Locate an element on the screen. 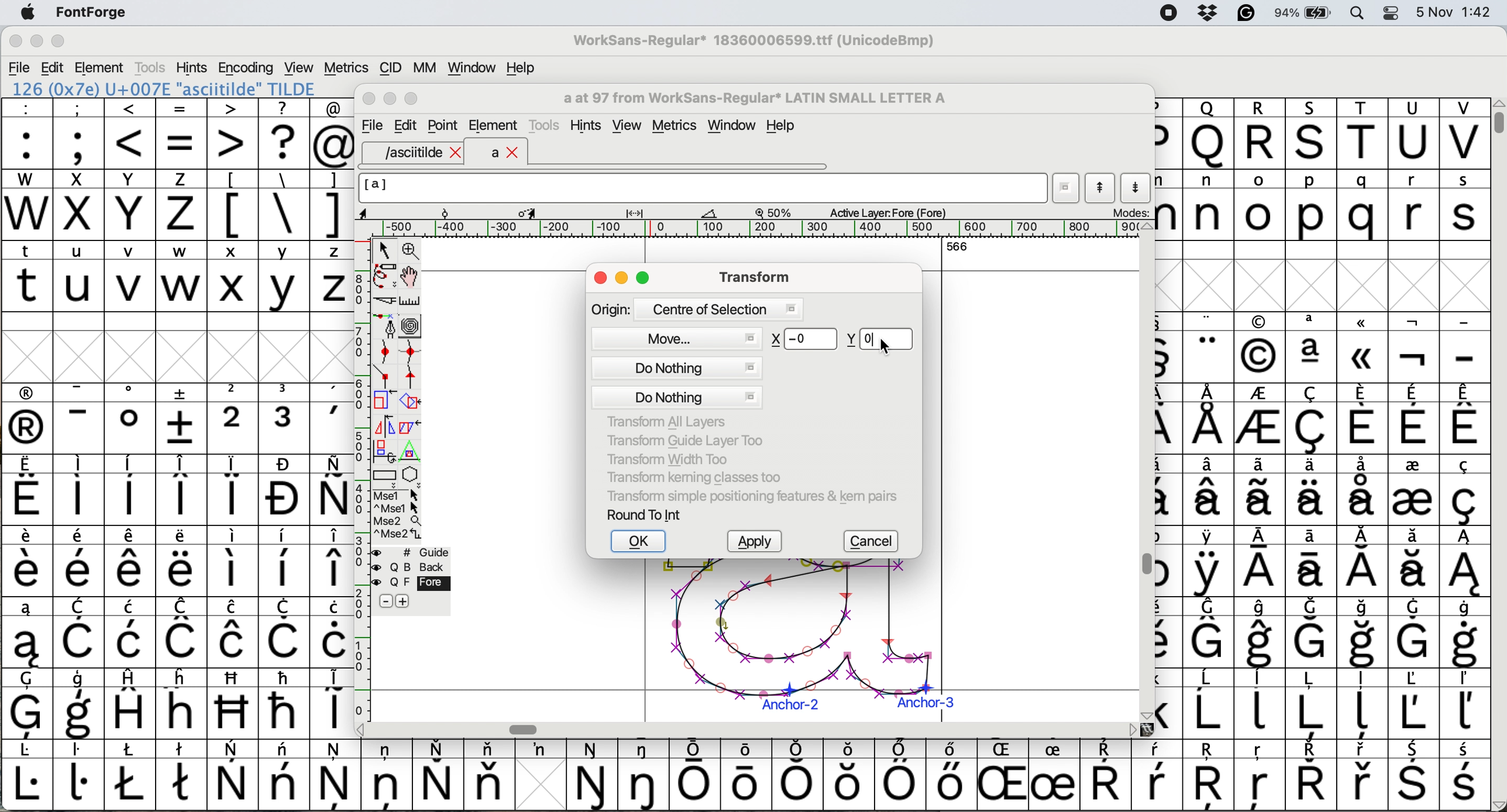 Image resolution: width=1507 pixels, height=812 pixels. symbol is located at coordinates (1211, 490).